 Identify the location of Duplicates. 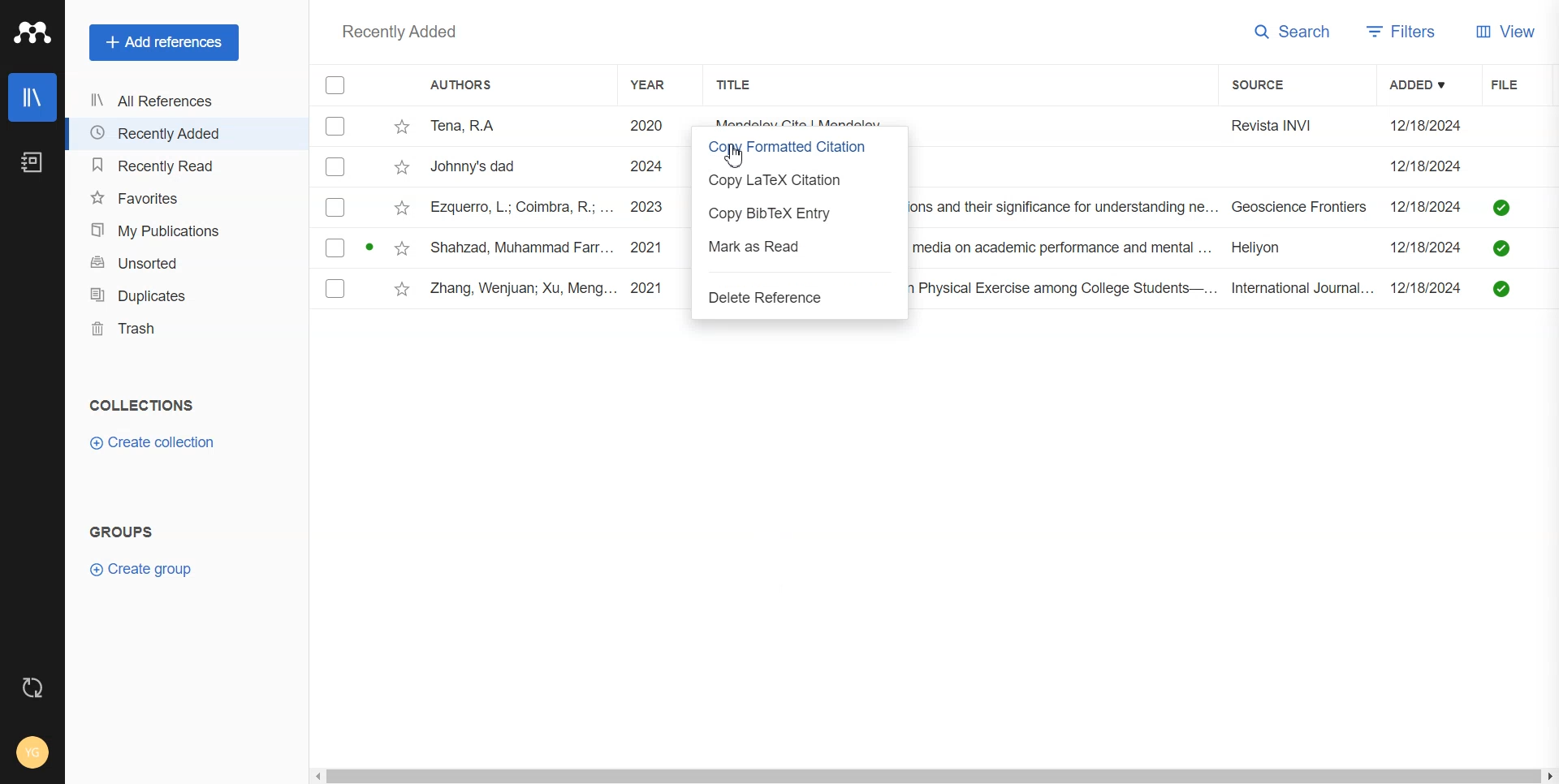
(188, 295).